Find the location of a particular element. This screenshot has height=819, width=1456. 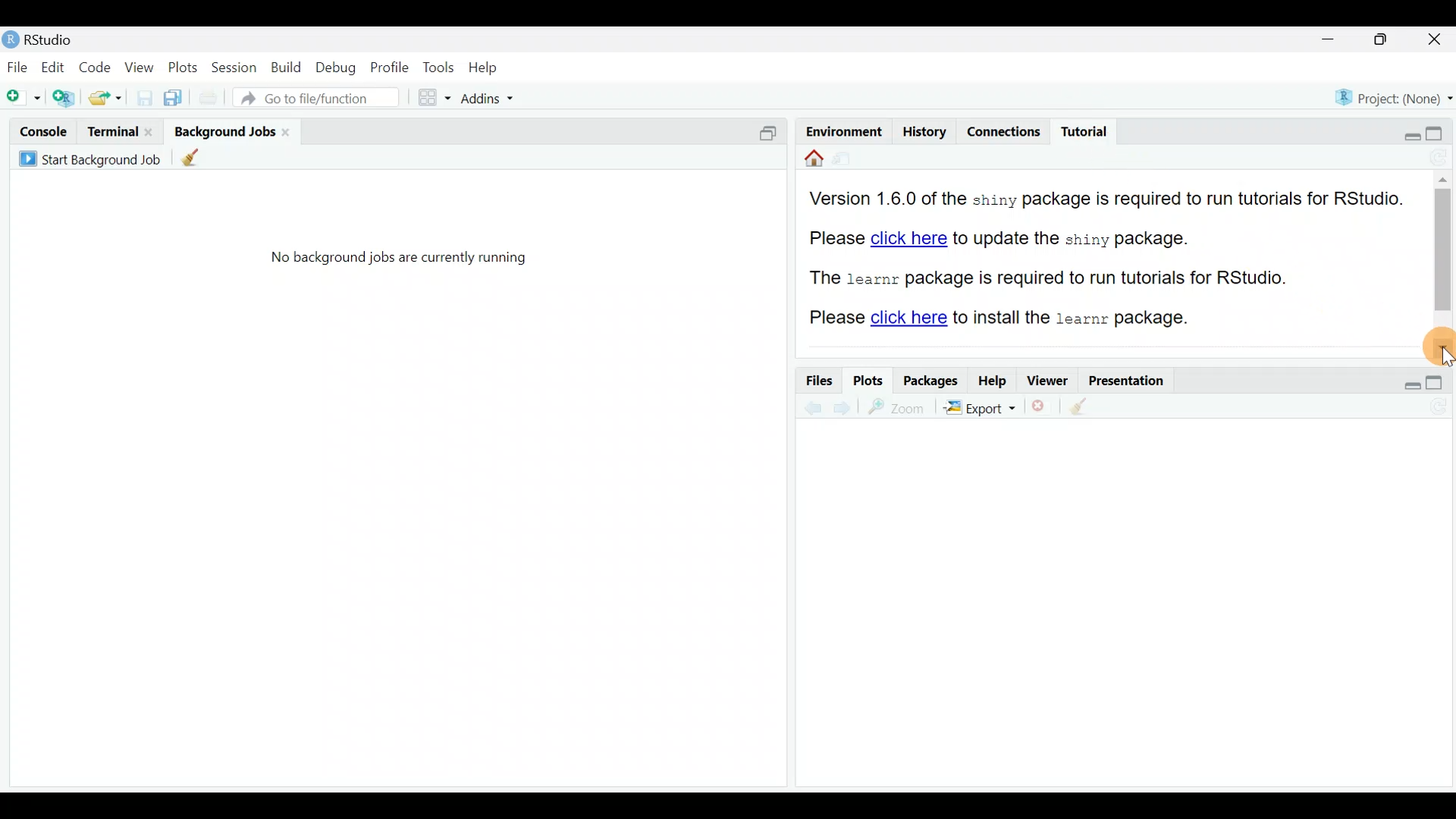

Session is located at coordinates (235, 71).